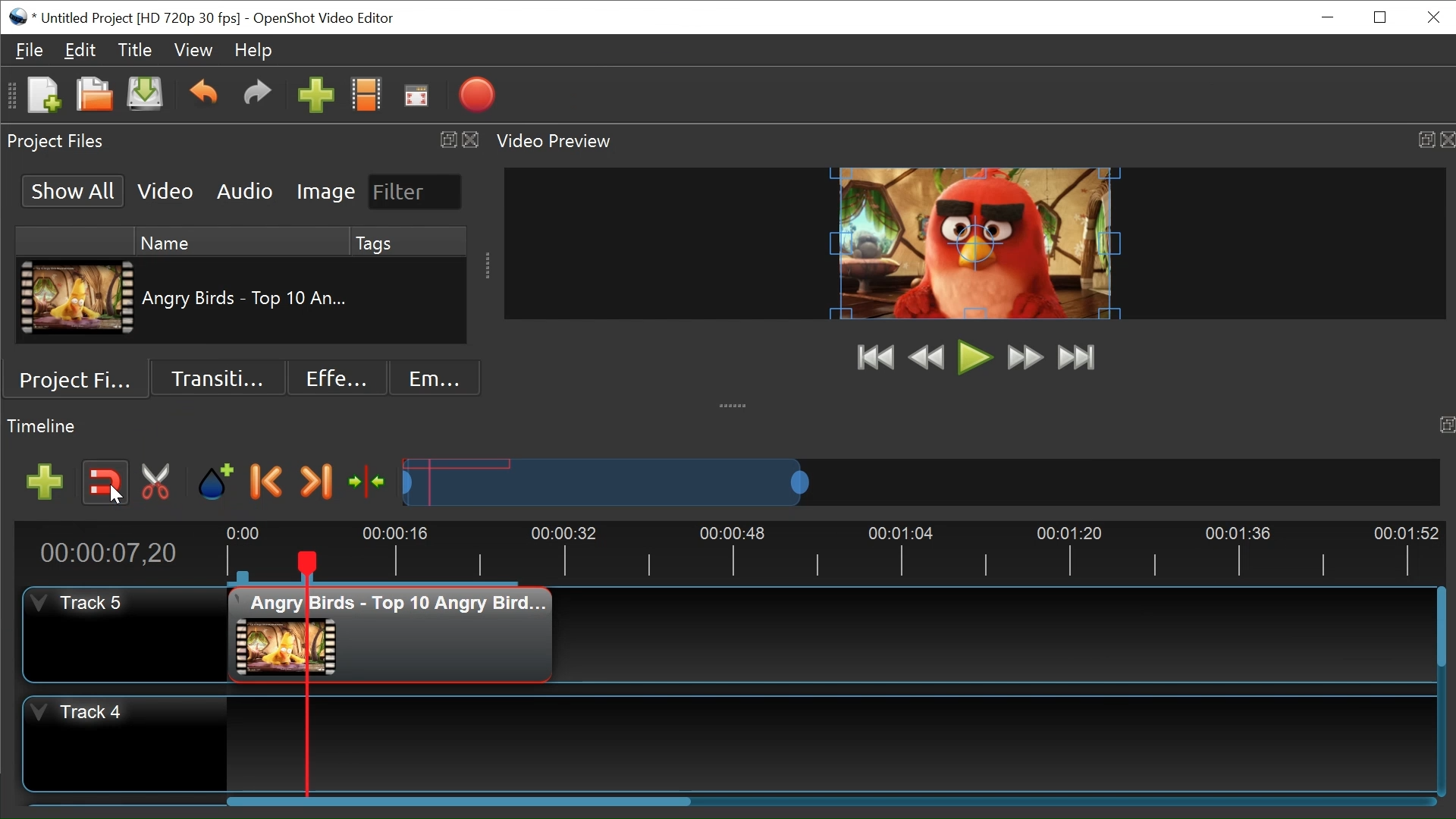 This screenshot has width=1456, height=819. I want to click on Open File, so click(93, 96).